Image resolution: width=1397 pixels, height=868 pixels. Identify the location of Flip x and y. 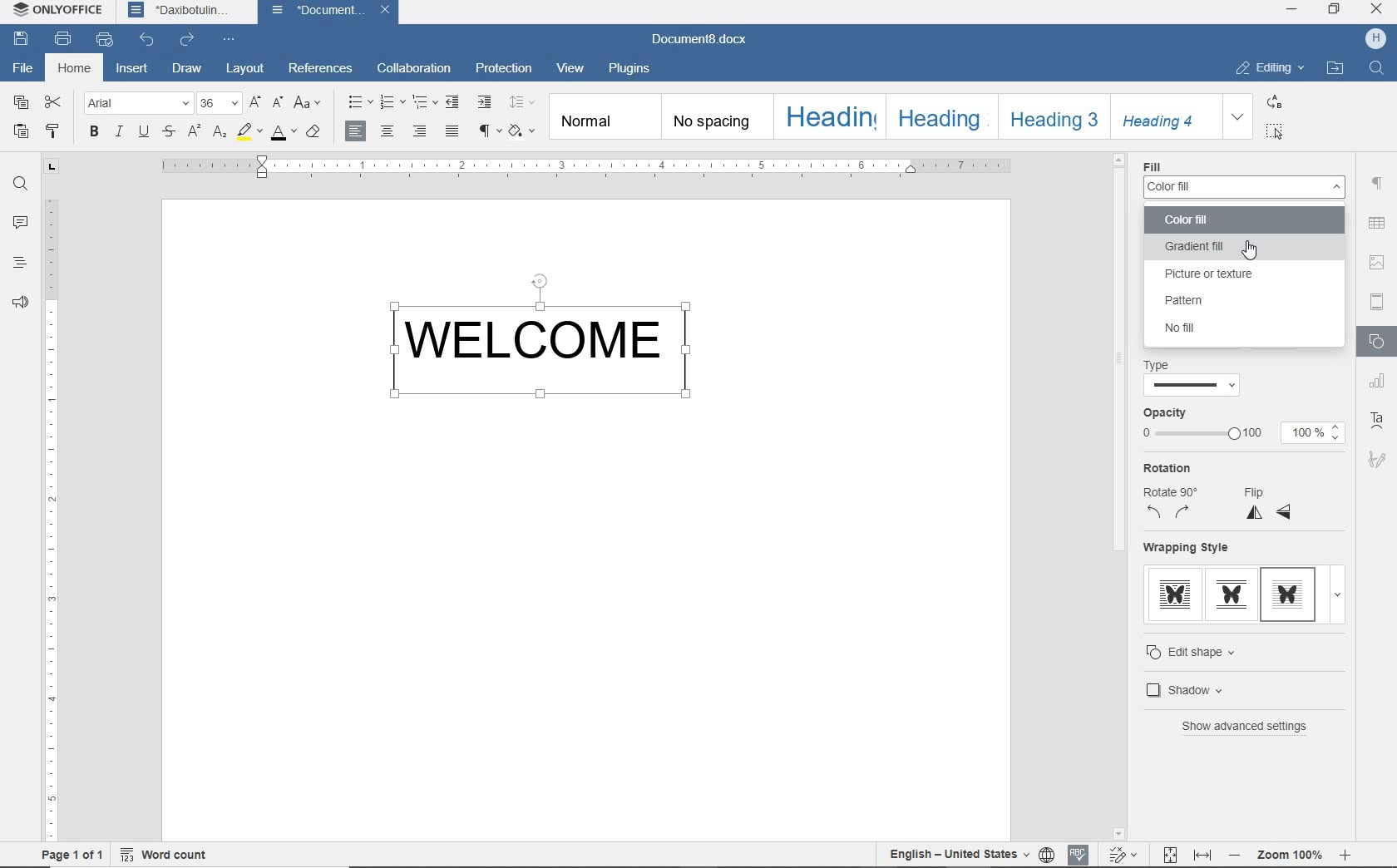
(1270, 514).